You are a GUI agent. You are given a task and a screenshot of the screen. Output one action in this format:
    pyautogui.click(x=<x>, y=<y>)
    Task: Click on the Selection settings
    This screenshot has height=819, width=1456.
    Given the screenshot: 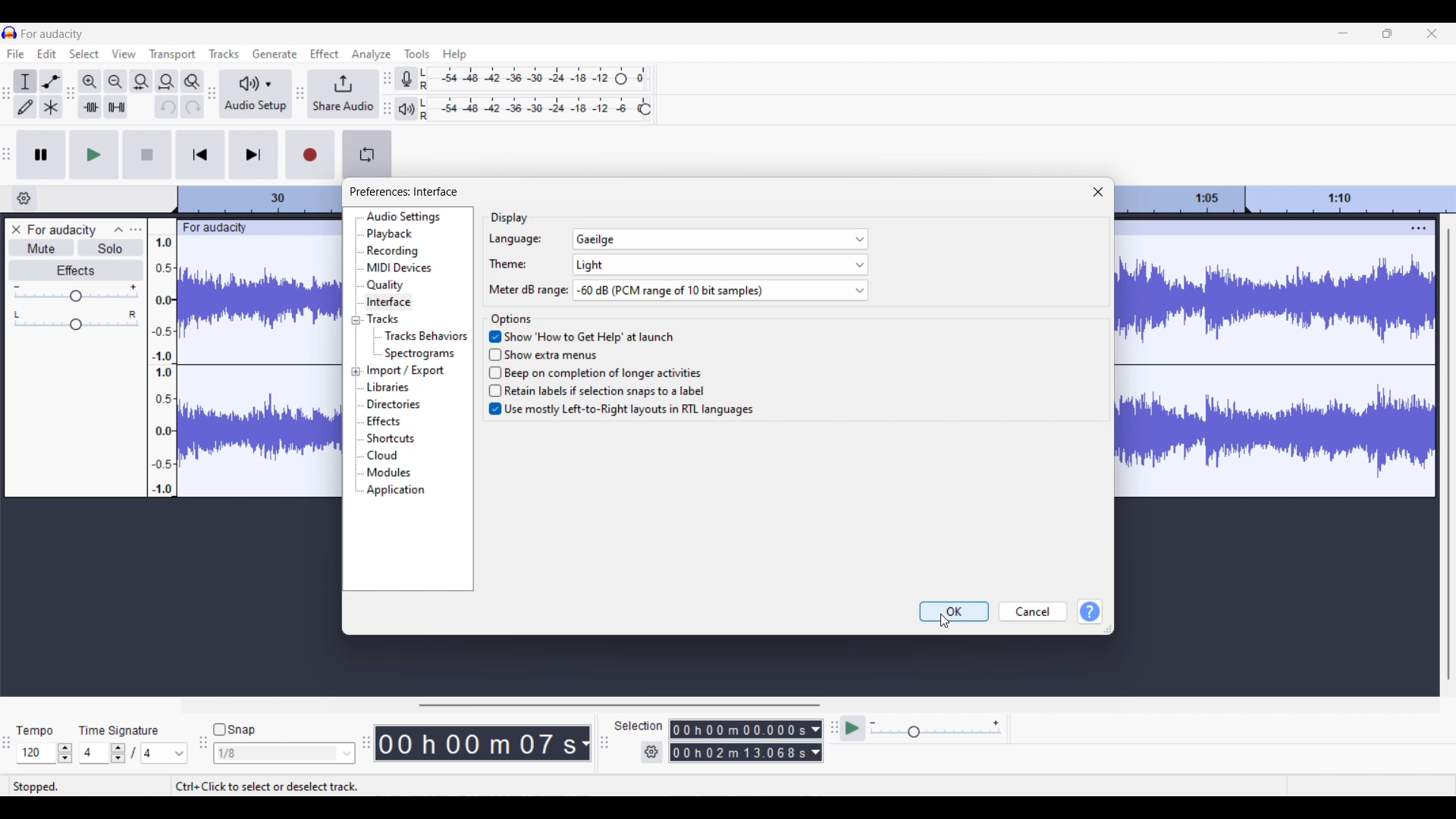 What is the action you would take?
    pyautogui.click(x=652, y=752)
    